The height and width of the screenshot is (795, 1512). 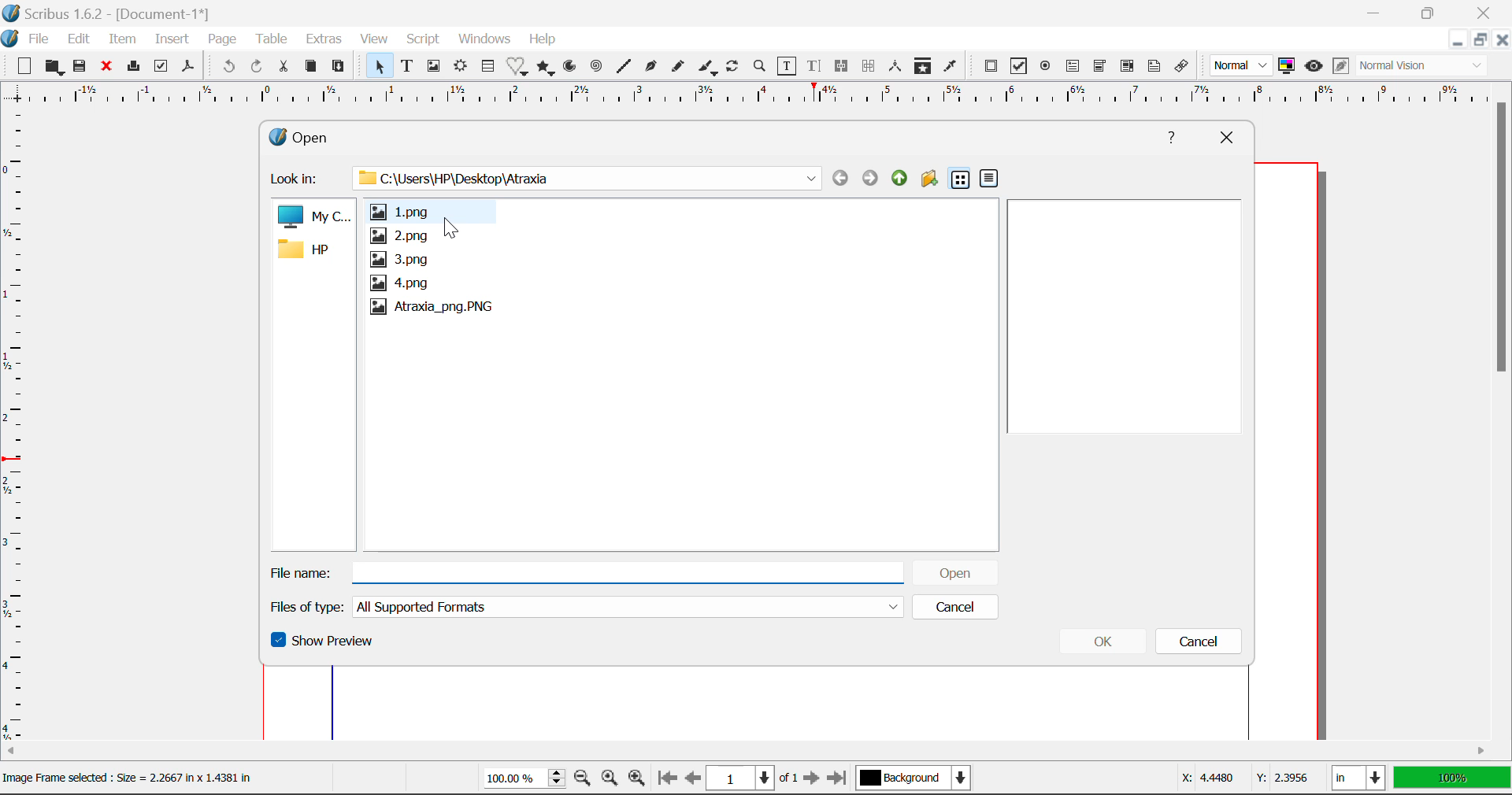 I want to click on Preview Mode, so click(x=1314, y=68).